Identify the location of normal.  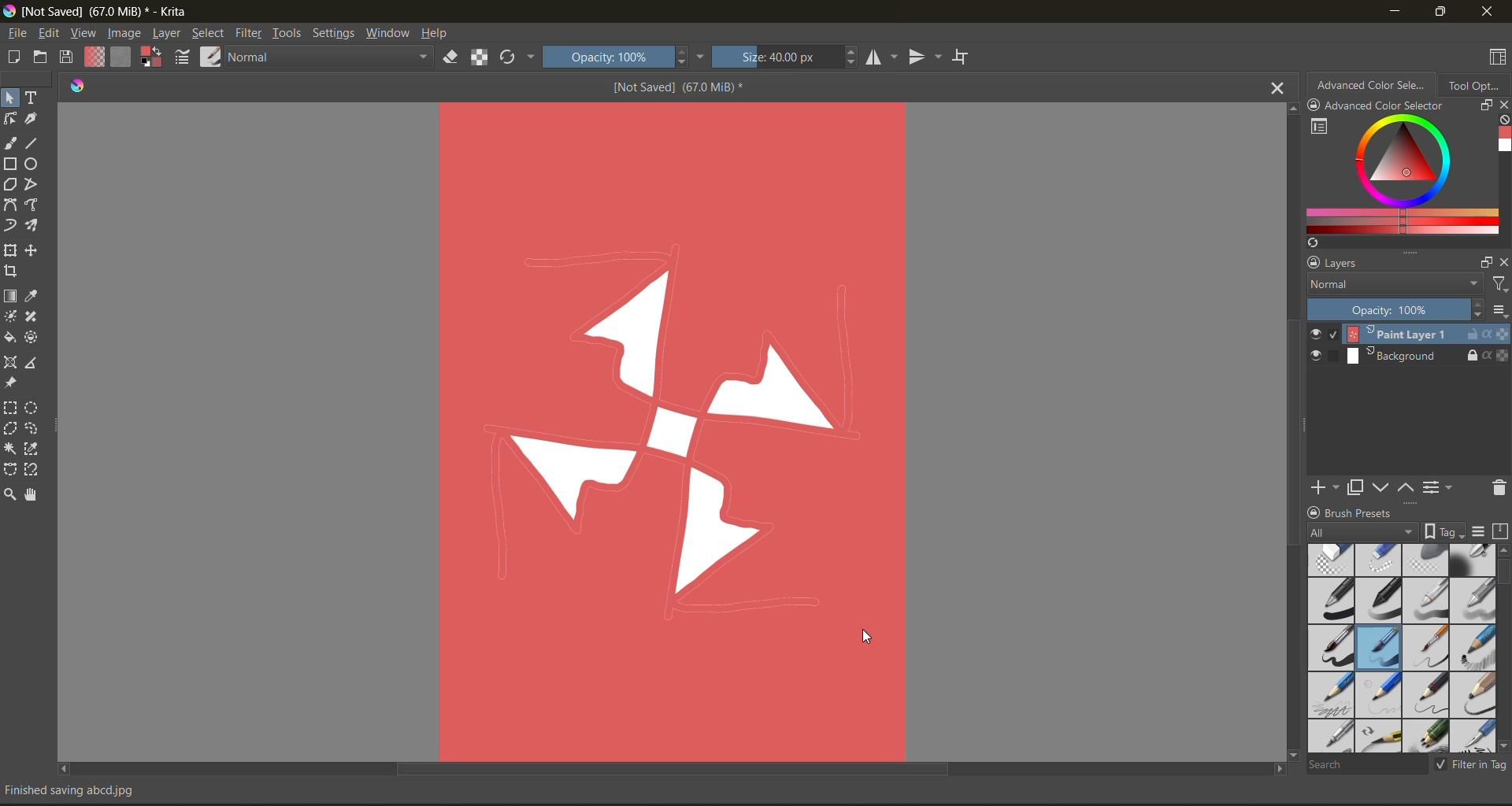
(1396, 289).